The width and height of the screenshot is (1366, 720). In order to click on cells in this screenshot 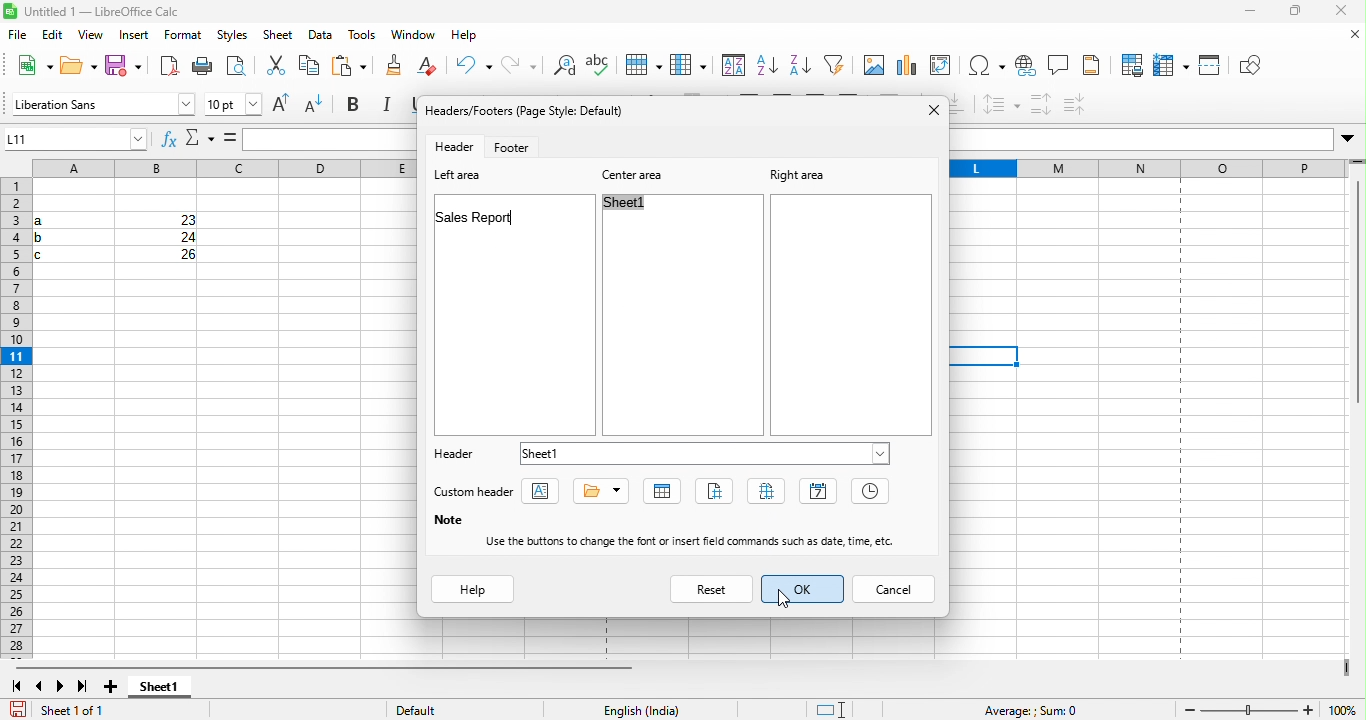, I will do `click(113, 239)`.